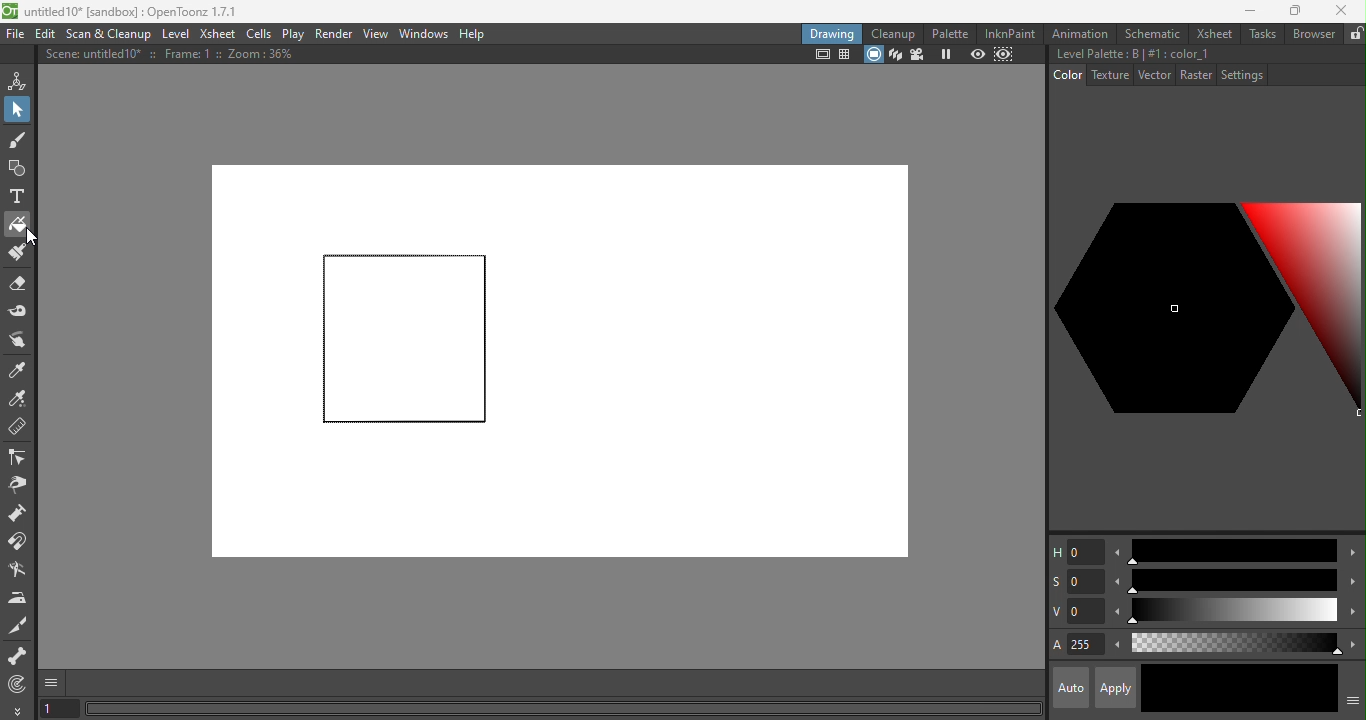 This screenshot has width=1366, height=720. What do you see at coordinates (19, 598) in the screenshot?
I see `Iron tool` at bounding box center [19, 598].